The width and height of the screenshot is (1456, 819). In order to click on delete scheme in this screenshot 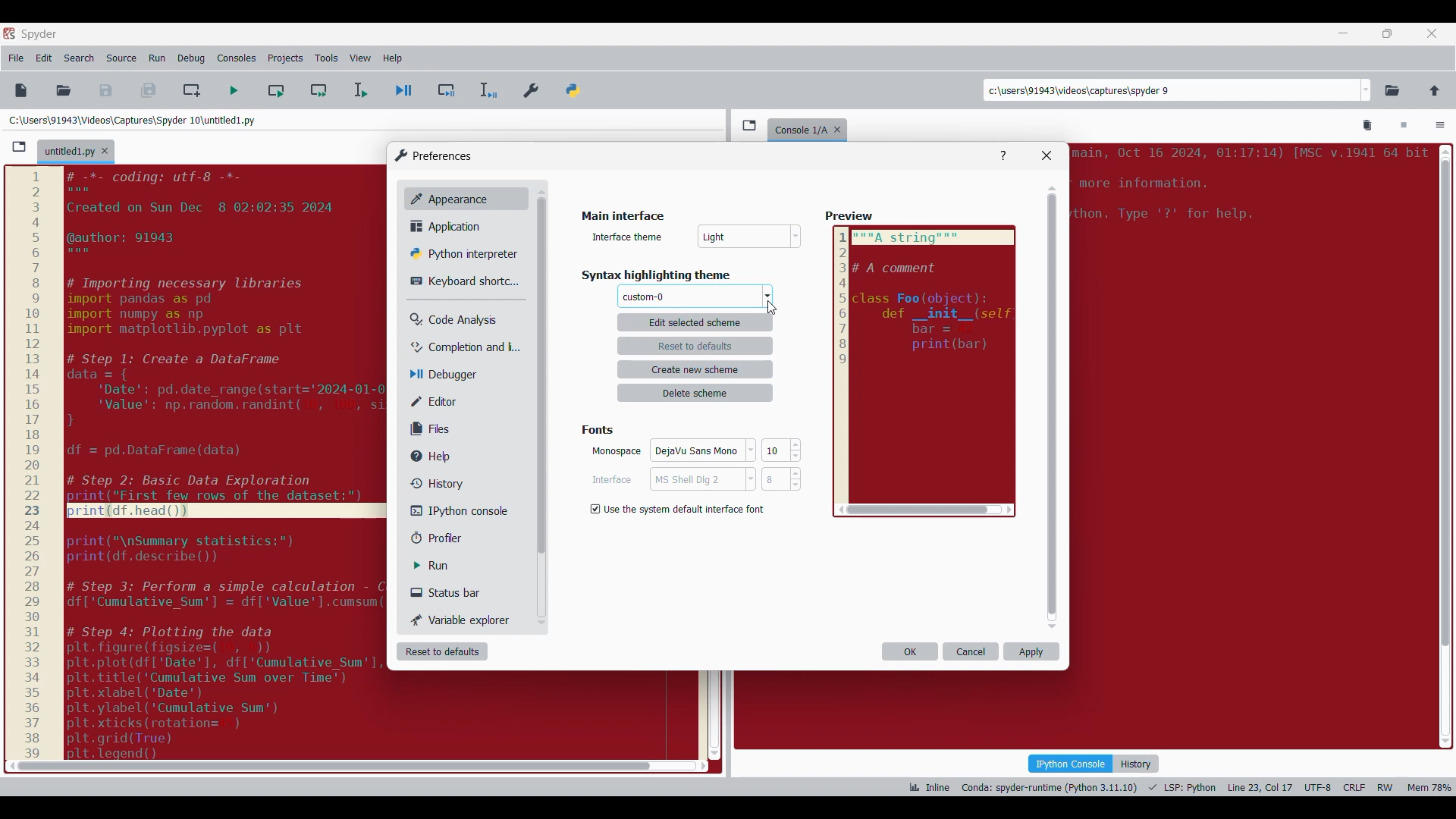, I will do `click(696, 393)`.